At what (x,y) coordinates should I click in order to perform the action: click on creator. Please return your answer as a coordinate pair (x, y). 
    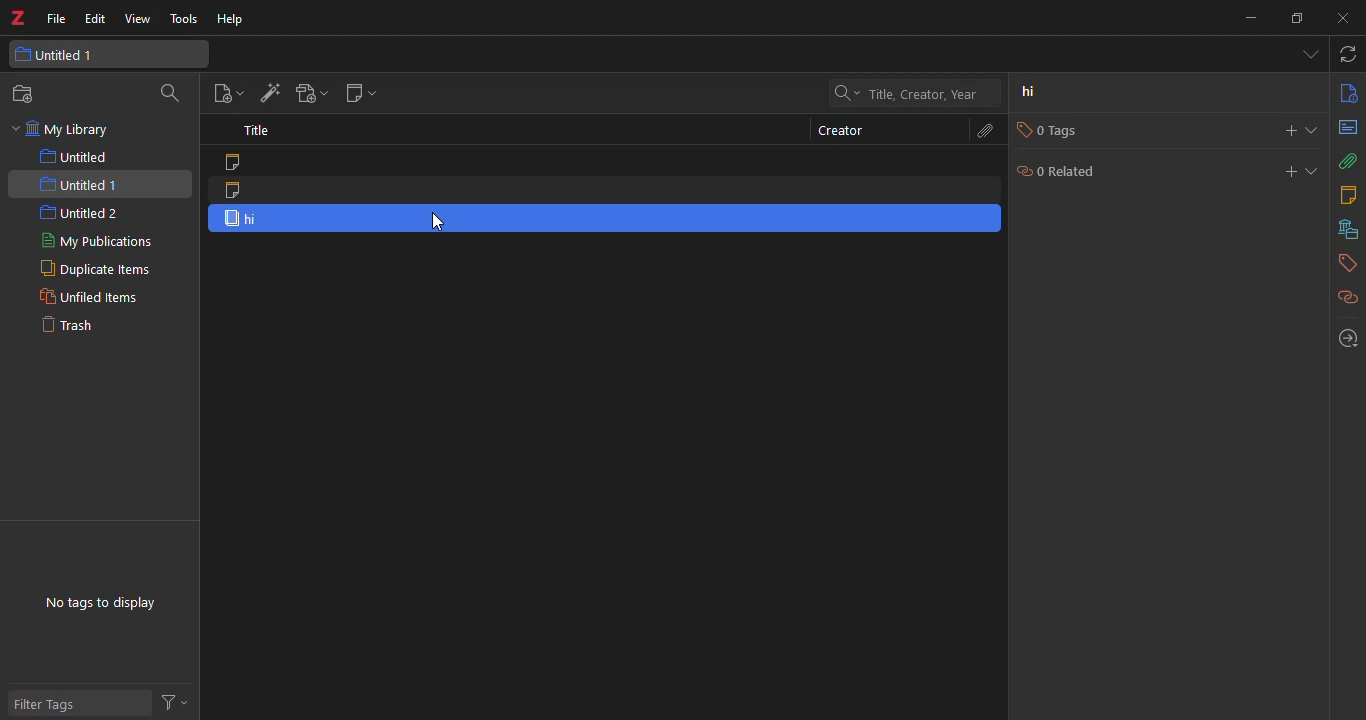
    Looking at the image, I should click on (842, 131).